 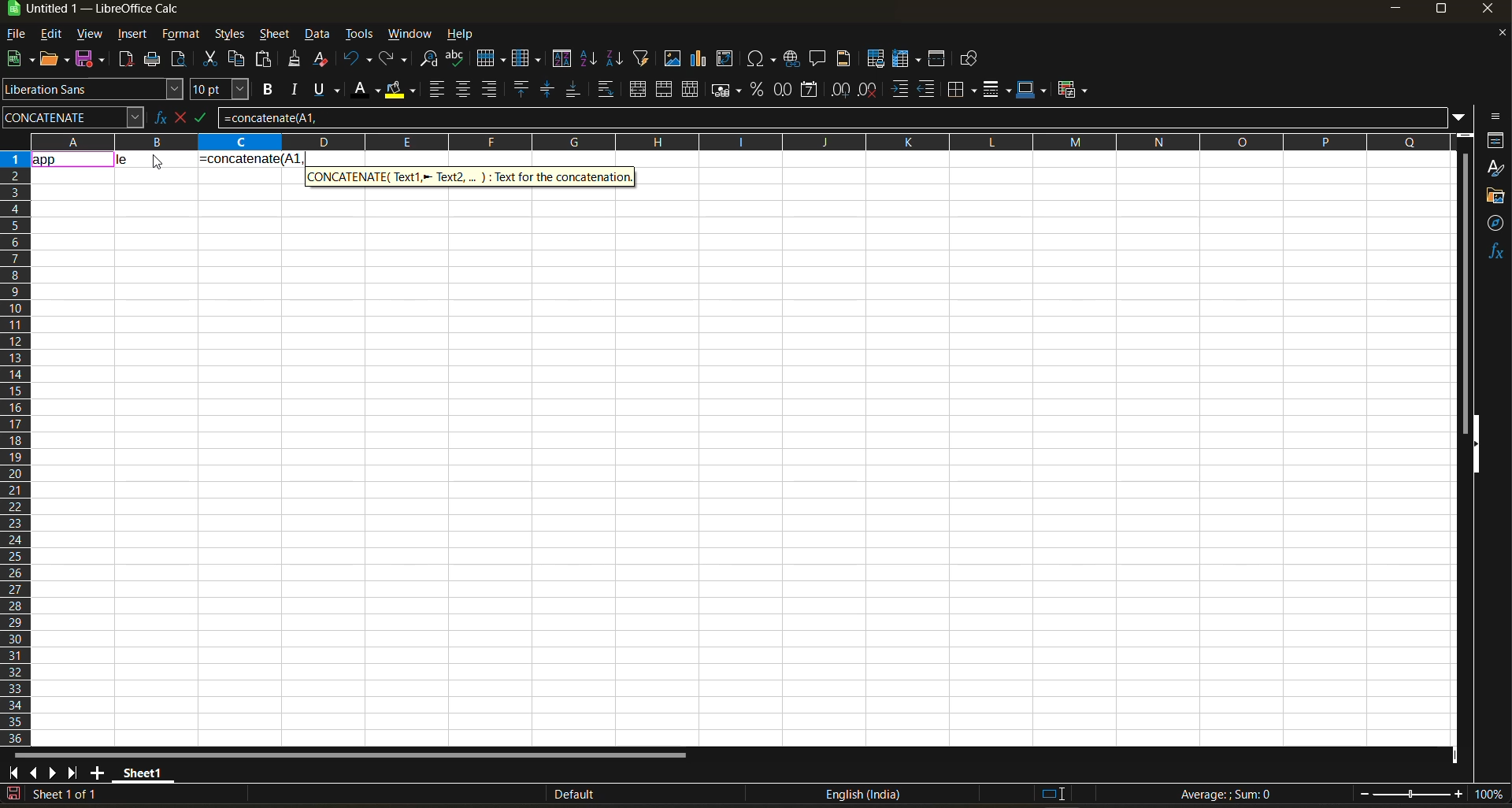 I want to click on new, so click(x=18, y=60).